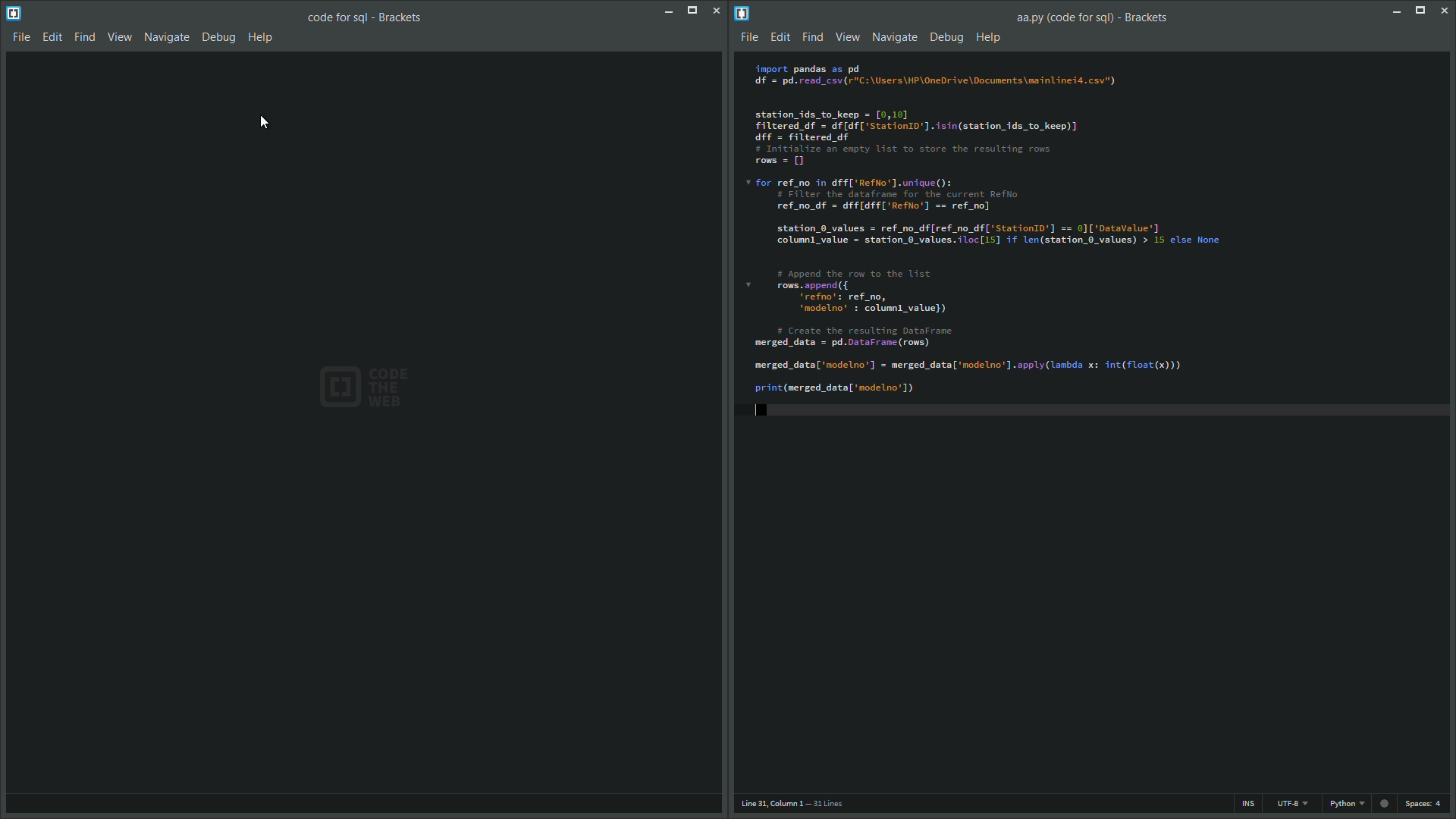 Image resolution: width=1456 pixels, height=819 pixels. I want to click on Edit, so click(783, 37).